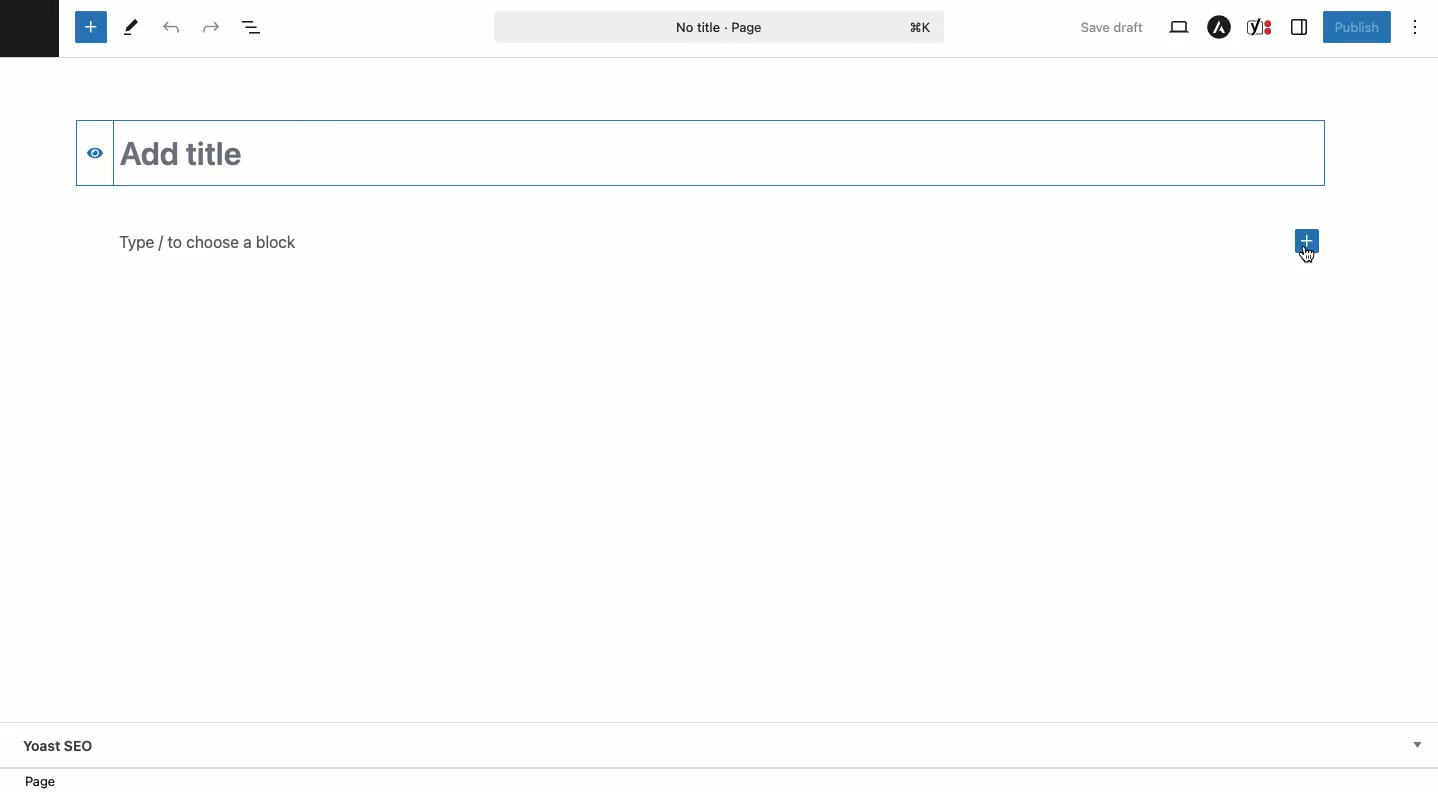 The width and height of the screenshot is (1438, 792). Describe the element at coordinates (1415, 27) in the screenshot. I see `Options` at that location.